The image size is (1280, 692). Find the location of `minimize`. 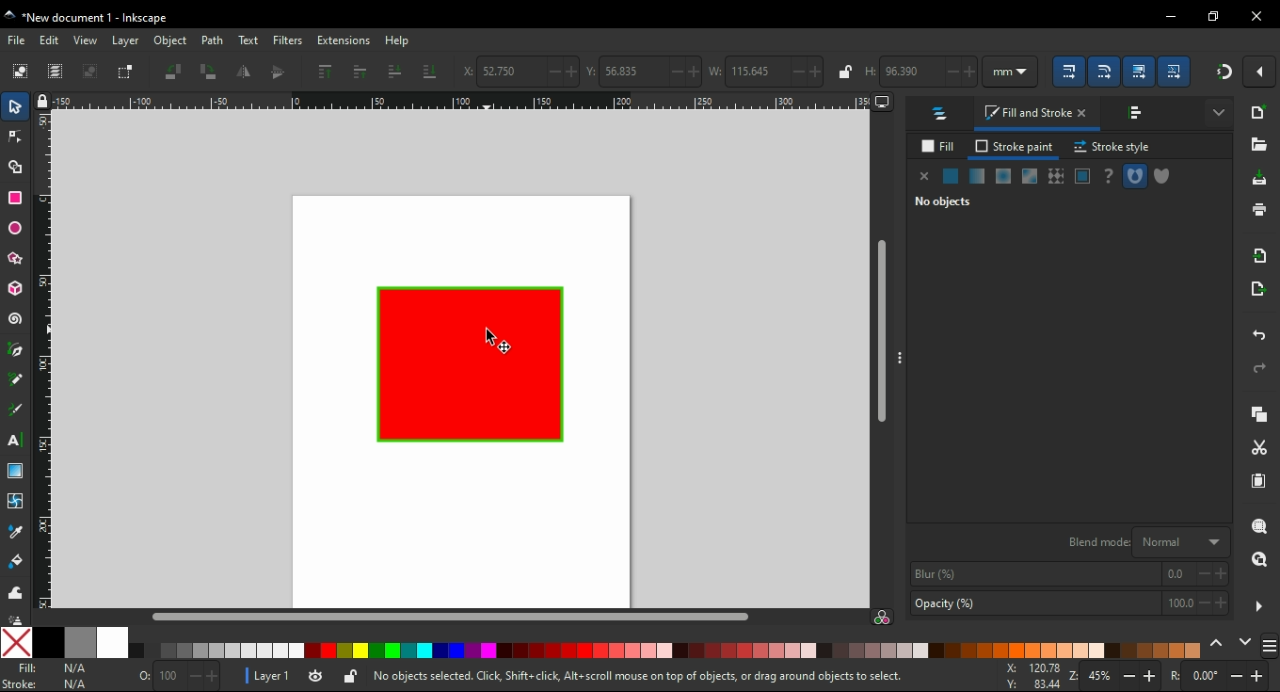

minimize is located at coordinates (1170, 18).